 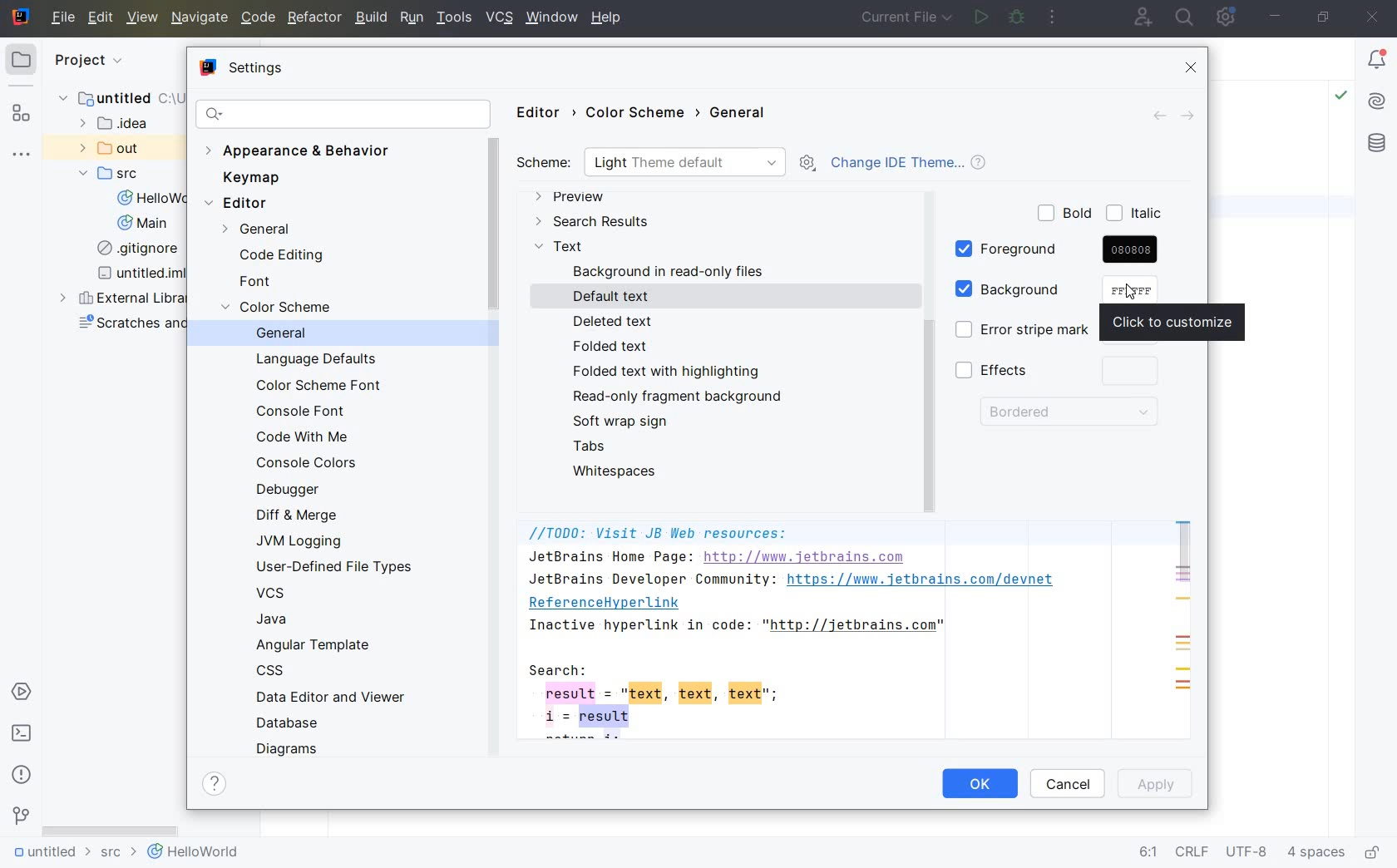 I want to click on VCS, so click(x=272, y=593).